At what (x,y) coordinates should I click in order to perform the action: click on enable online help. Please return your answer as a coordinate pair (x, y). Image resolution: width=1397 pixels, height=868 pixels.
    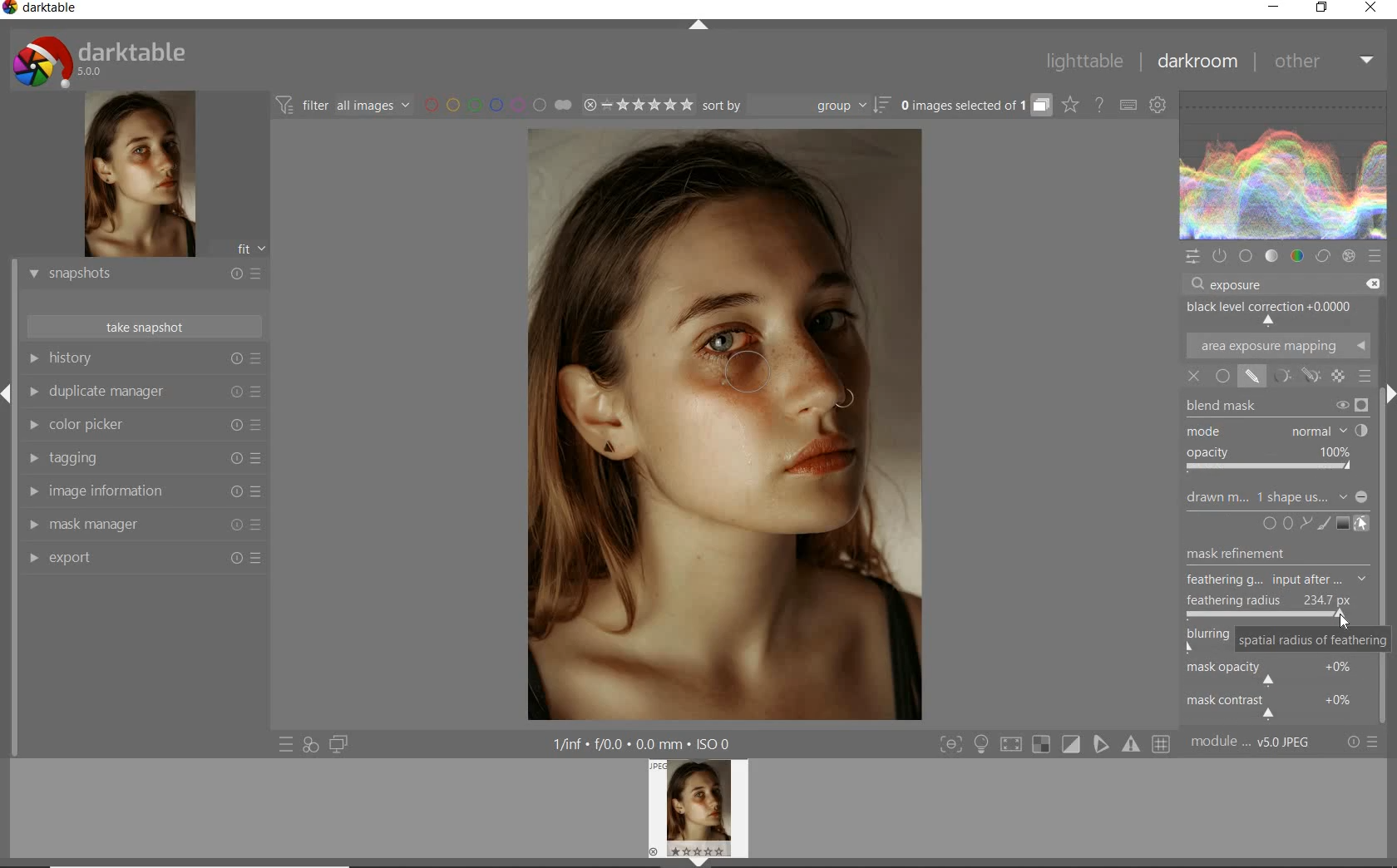
    Looking at the image, I should click on (1099, 106).